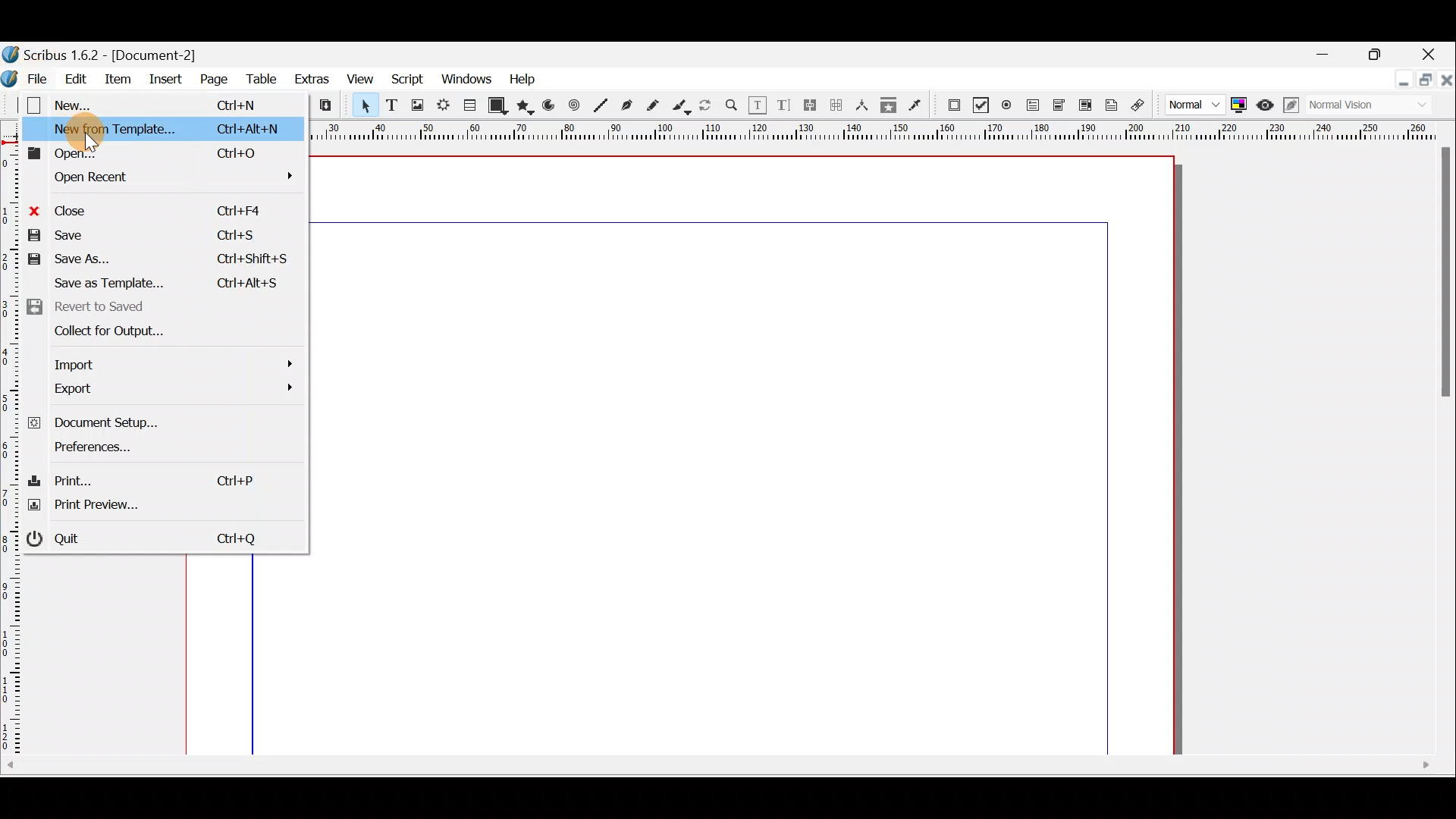  I want to click on Minimise, so click(1399, 86).